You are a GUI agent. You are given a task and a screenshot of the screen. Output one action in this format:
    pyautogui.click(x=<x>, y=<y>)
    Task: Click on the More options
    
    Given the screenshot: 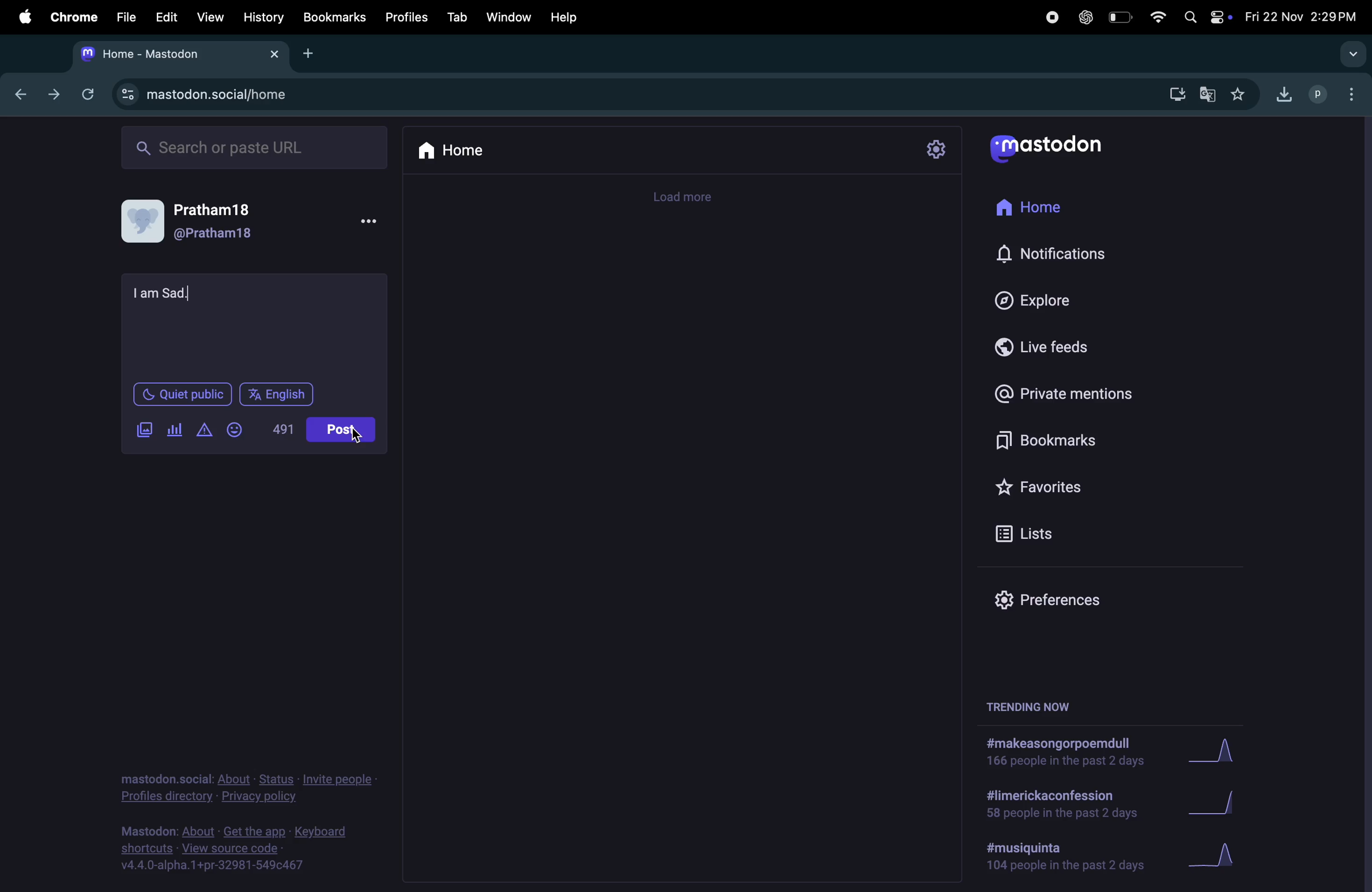 What is the action you would take?
    pyautogui.click(x=369, y=220)
    